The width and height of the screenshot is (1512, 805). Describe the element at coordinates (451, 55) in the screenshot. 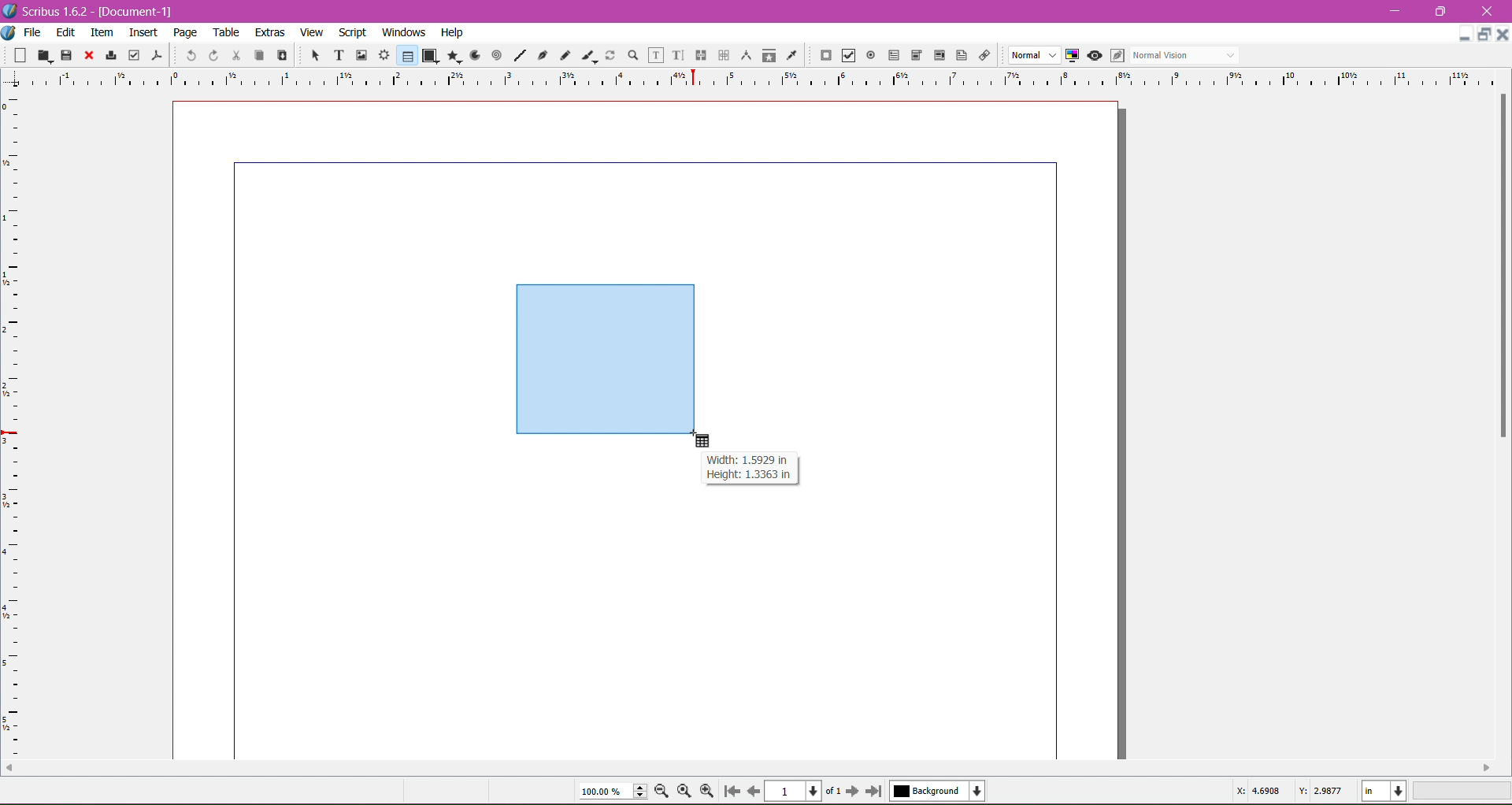

I see `Polygon` at that location.